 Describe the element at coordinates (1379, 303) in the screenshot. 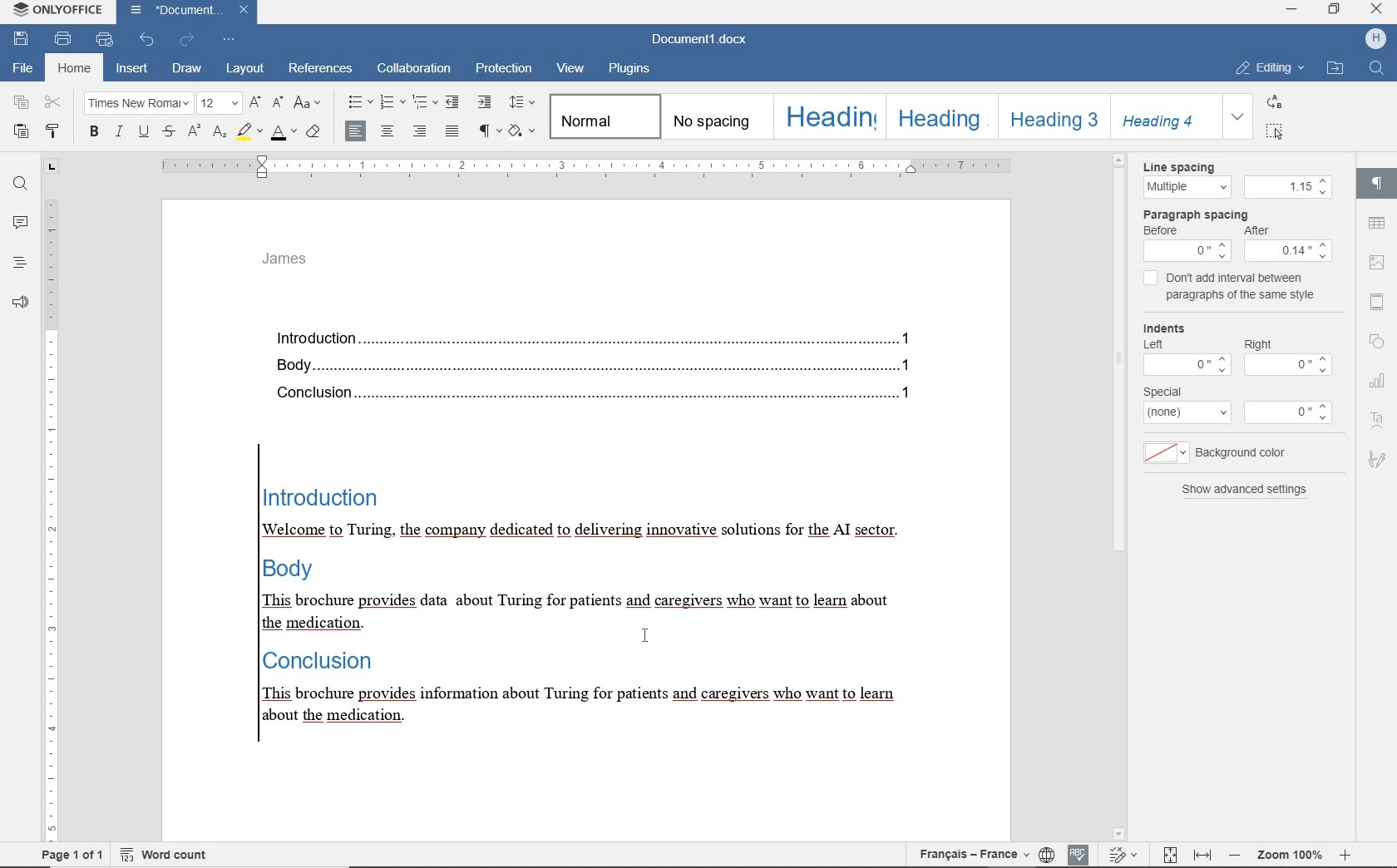

I see `header and footer` at that location.